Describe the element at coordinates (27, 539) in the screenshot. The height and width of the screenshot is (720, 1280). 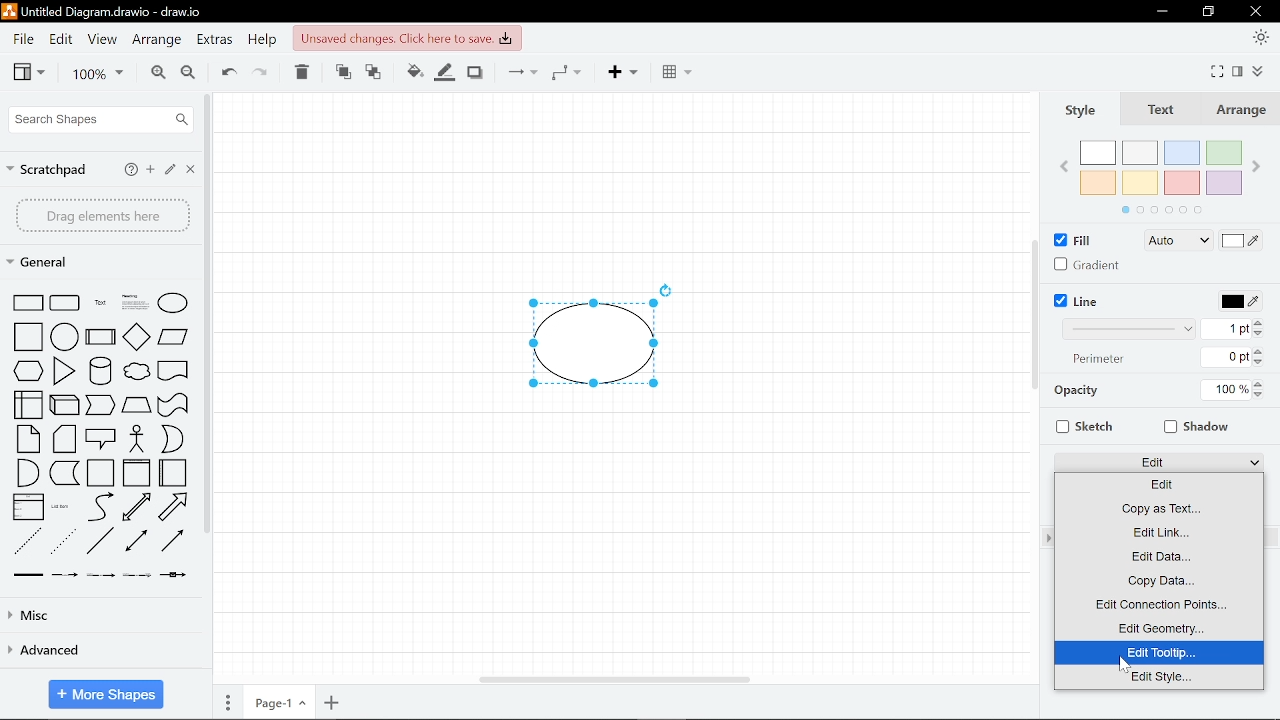
I see `dashed line` at that location.